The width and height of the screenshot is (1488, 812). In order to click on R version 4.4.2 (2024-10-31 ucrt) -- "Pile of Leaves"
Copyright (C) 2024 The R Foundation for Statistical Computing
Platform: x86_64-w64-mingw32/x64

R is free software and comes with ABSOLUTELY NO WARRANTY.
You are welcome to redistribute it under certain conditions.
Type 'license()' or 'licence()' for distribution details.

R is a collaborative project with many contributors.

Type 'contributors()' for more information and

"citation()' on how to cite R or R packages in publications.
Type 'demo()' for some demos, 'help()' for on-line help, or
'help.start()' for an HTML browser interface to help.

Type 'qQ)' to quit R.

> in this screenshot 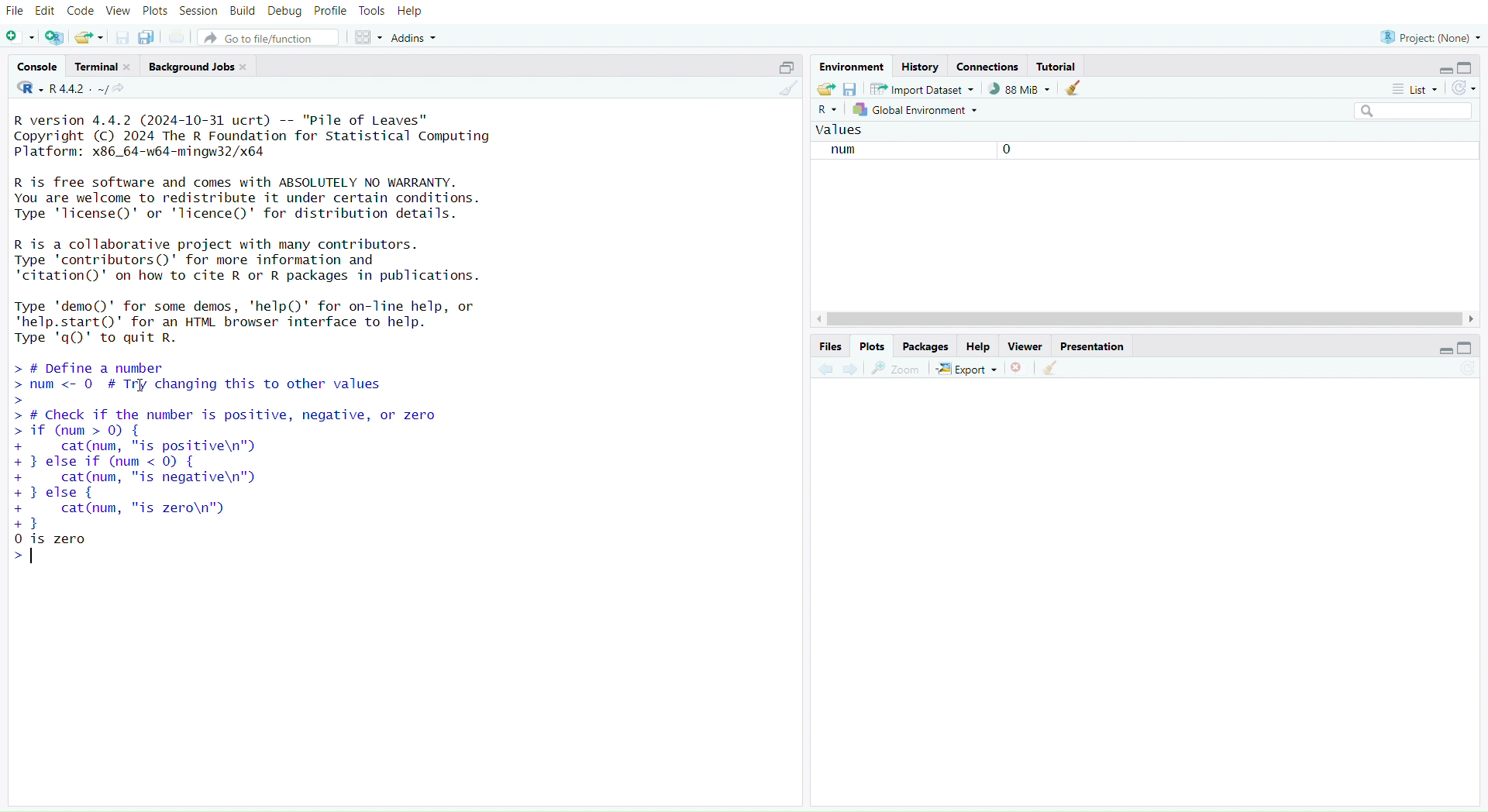, I will do `click(283, 229)`.